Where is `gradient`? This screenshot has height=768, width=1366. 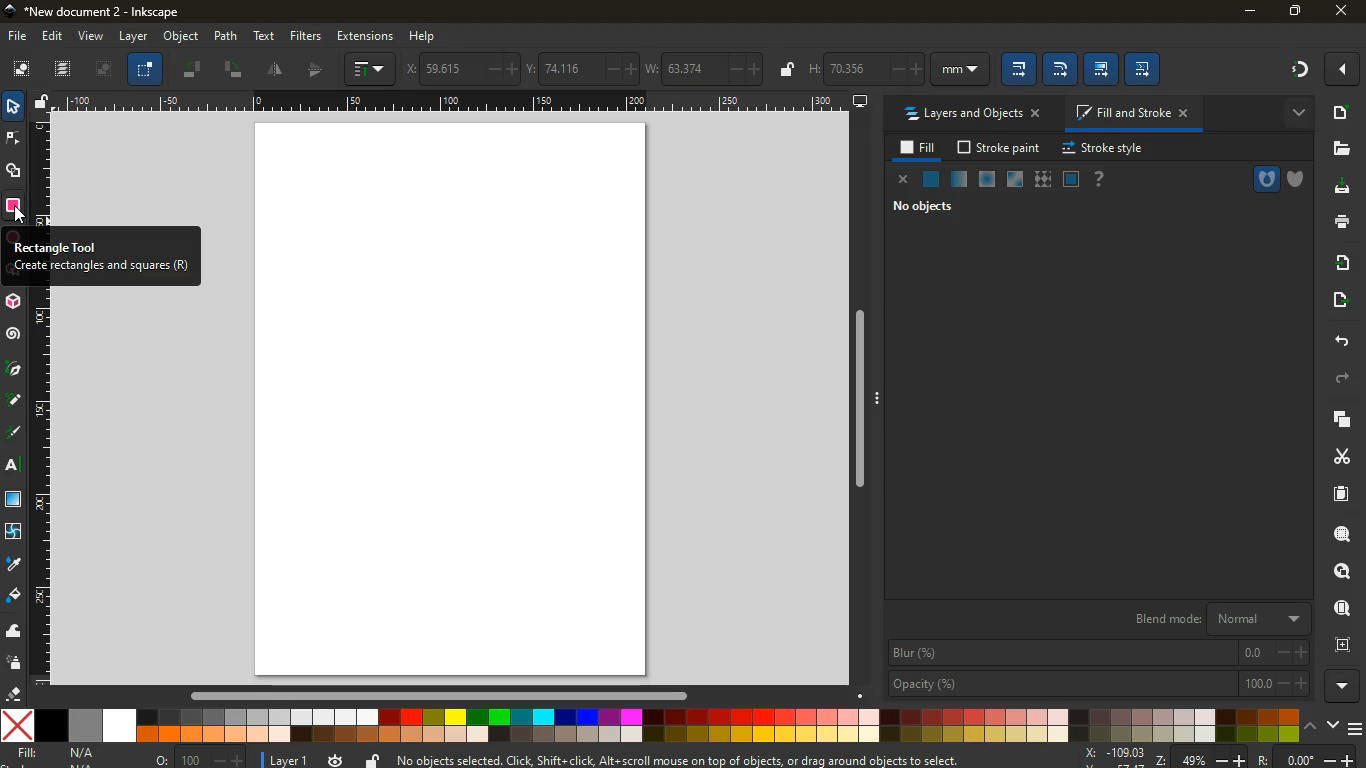
gradient is located at coordinates (1302, 70).